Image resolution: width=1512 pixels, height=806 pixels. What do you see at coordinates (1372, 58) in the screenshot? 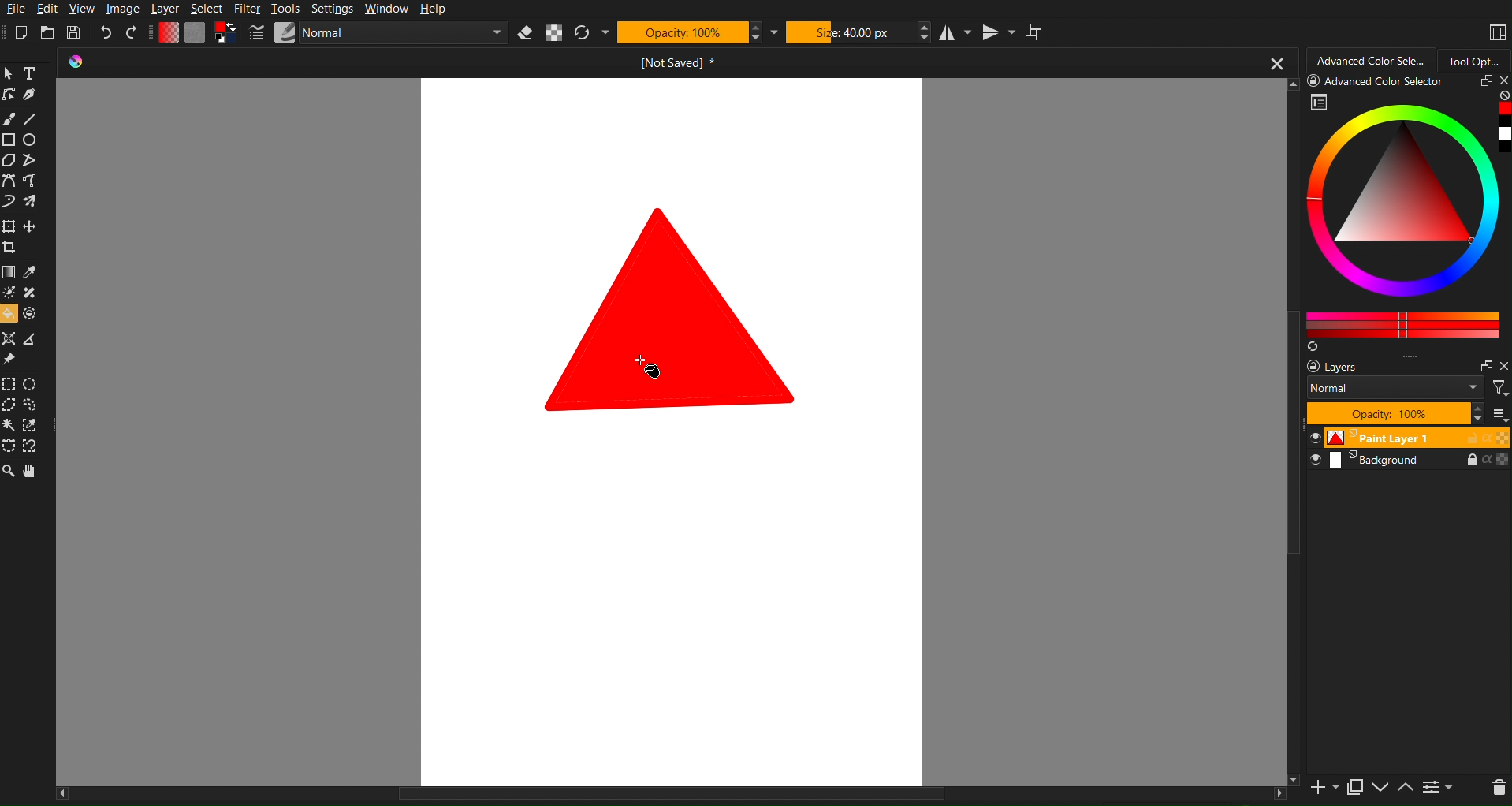
I see `Advanced Color Selector` at bounding box center [1372, 58].